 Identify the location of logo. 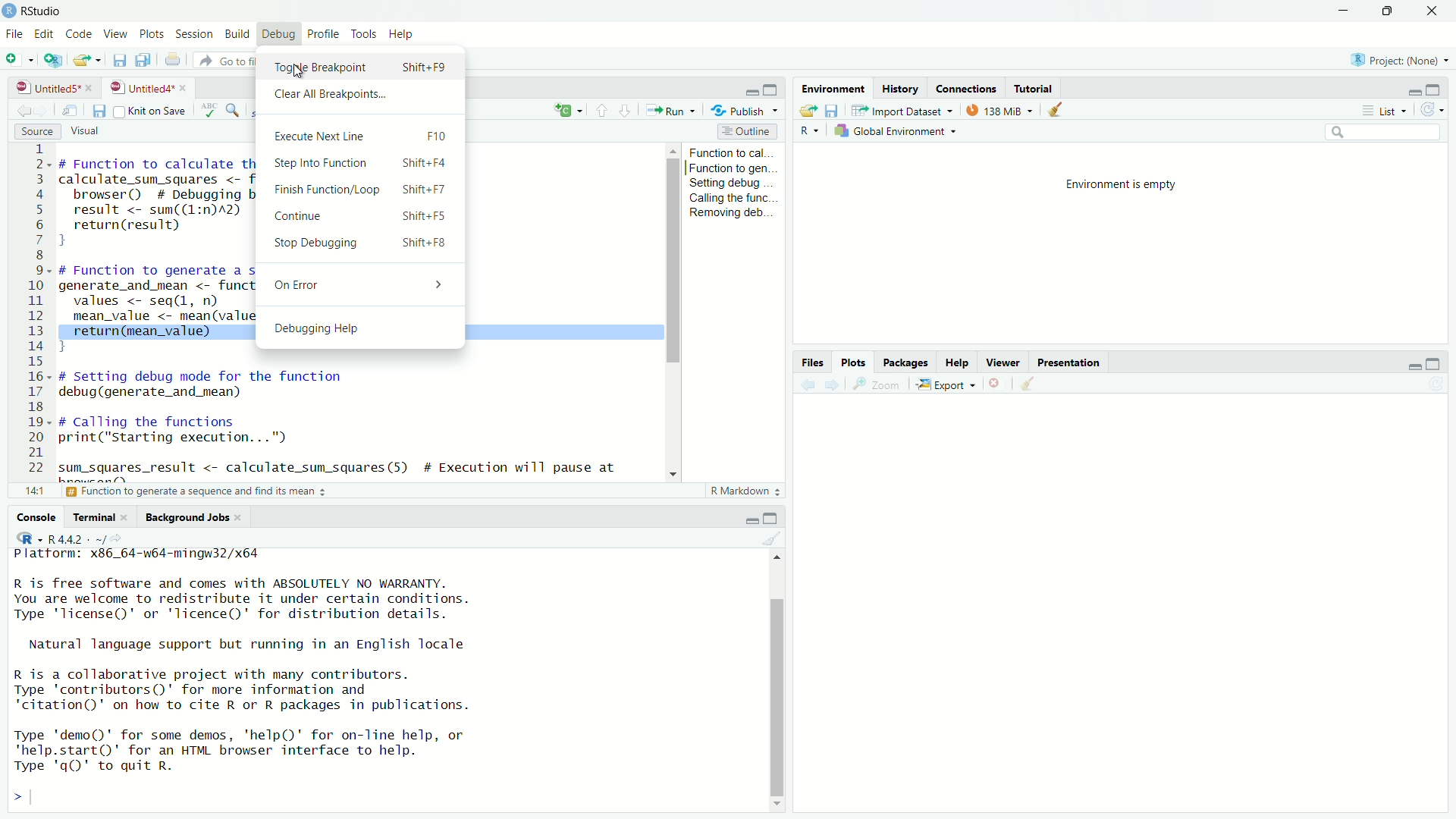
(10, 11).